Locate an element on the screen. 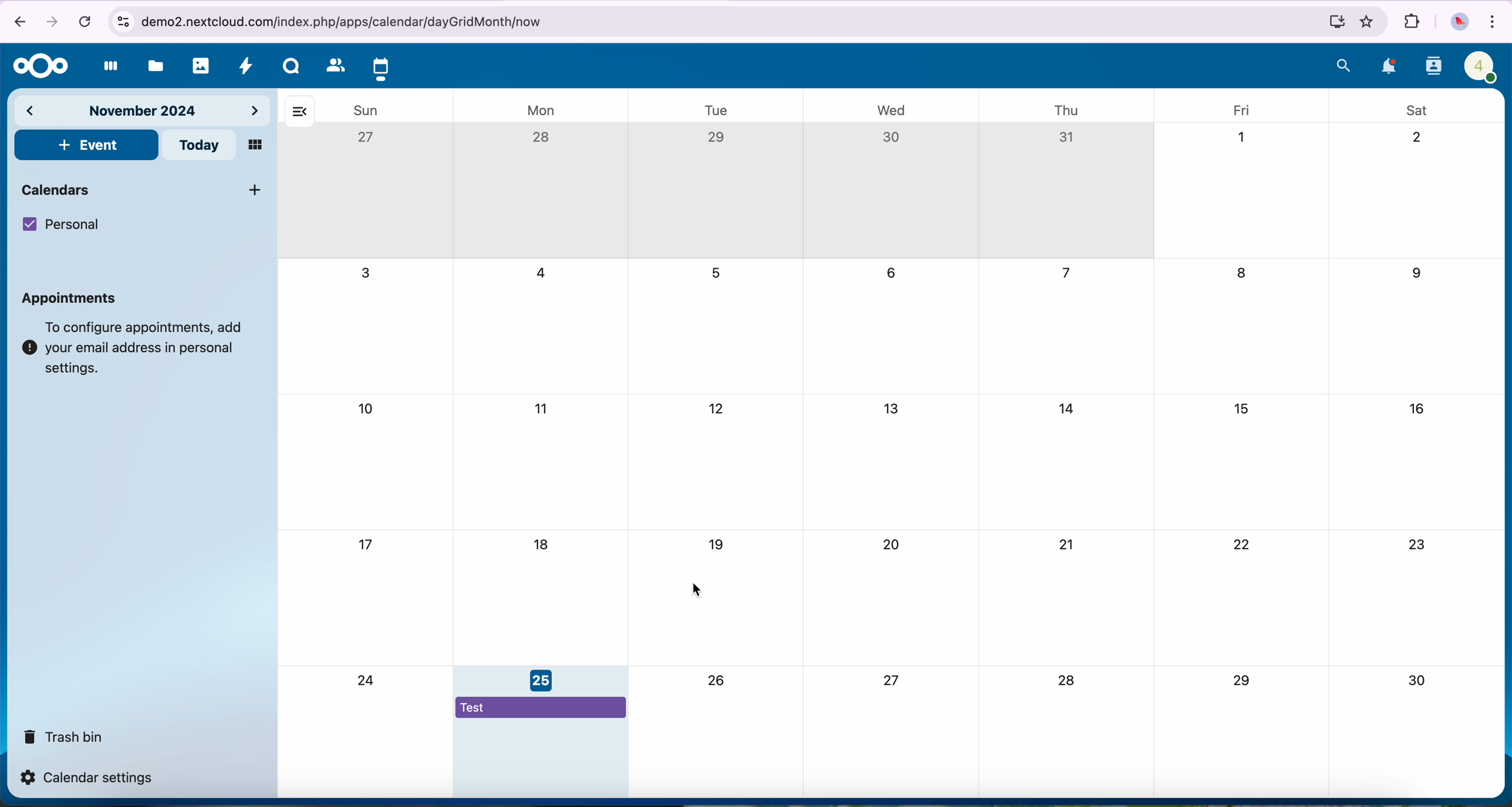 This screenshot has width=1512, height=807. calendar settings is located at coordinates (90, 778).